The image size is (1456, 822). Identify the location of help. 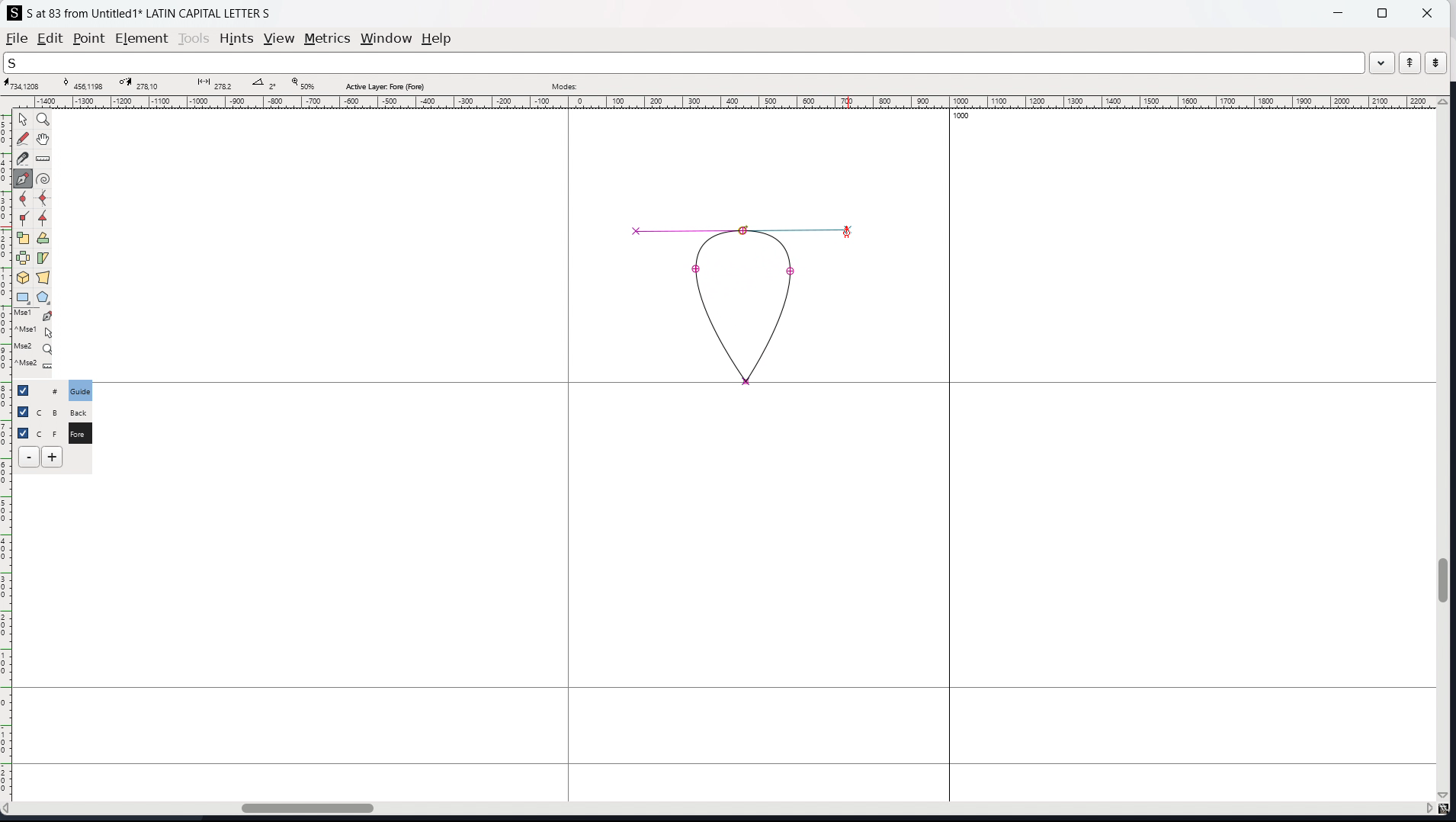
(437, 39).